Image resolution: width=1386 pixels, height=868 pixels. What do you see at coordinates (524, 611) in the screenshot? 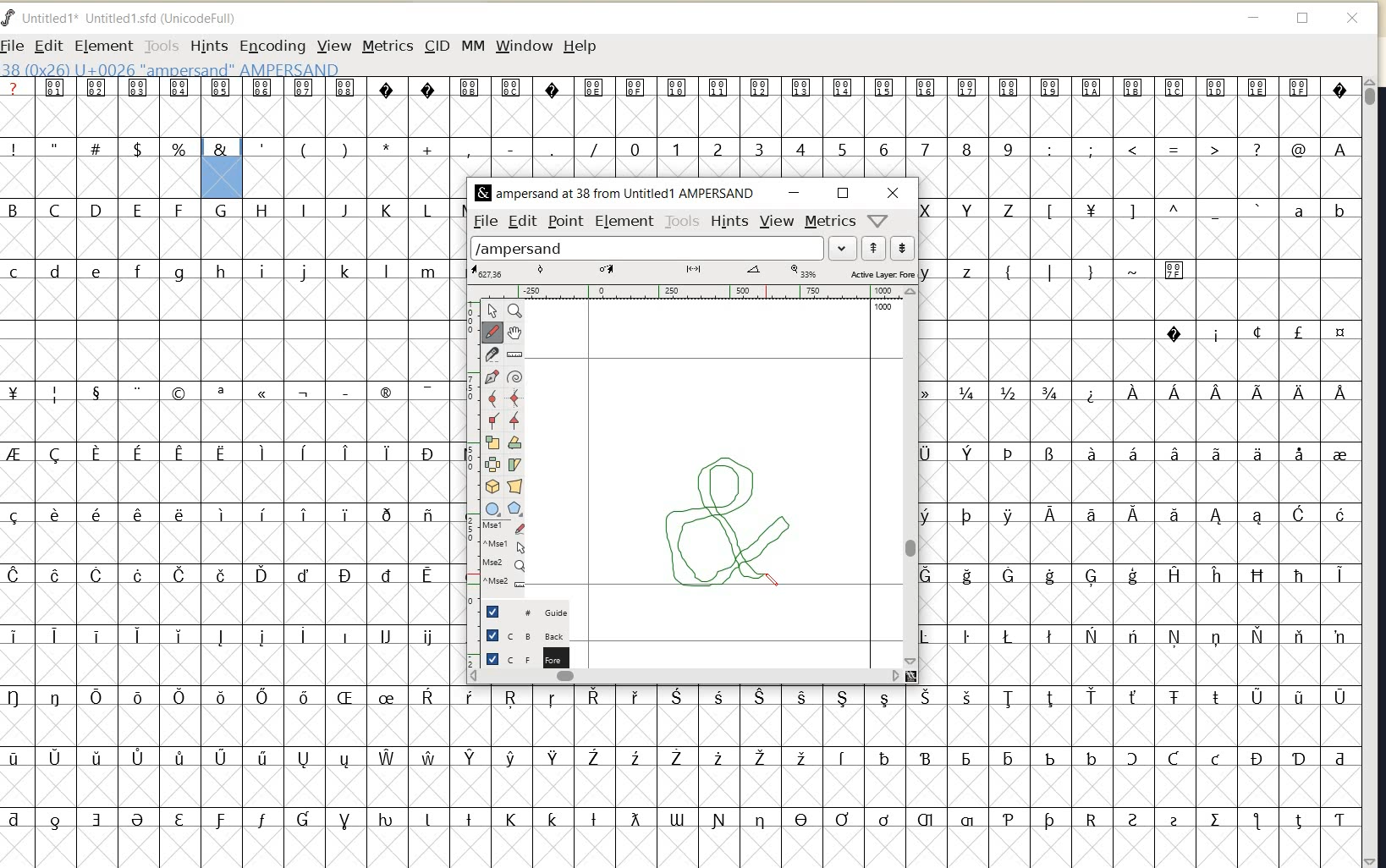
I see `GUIDE` at bounding box center [524, 611].